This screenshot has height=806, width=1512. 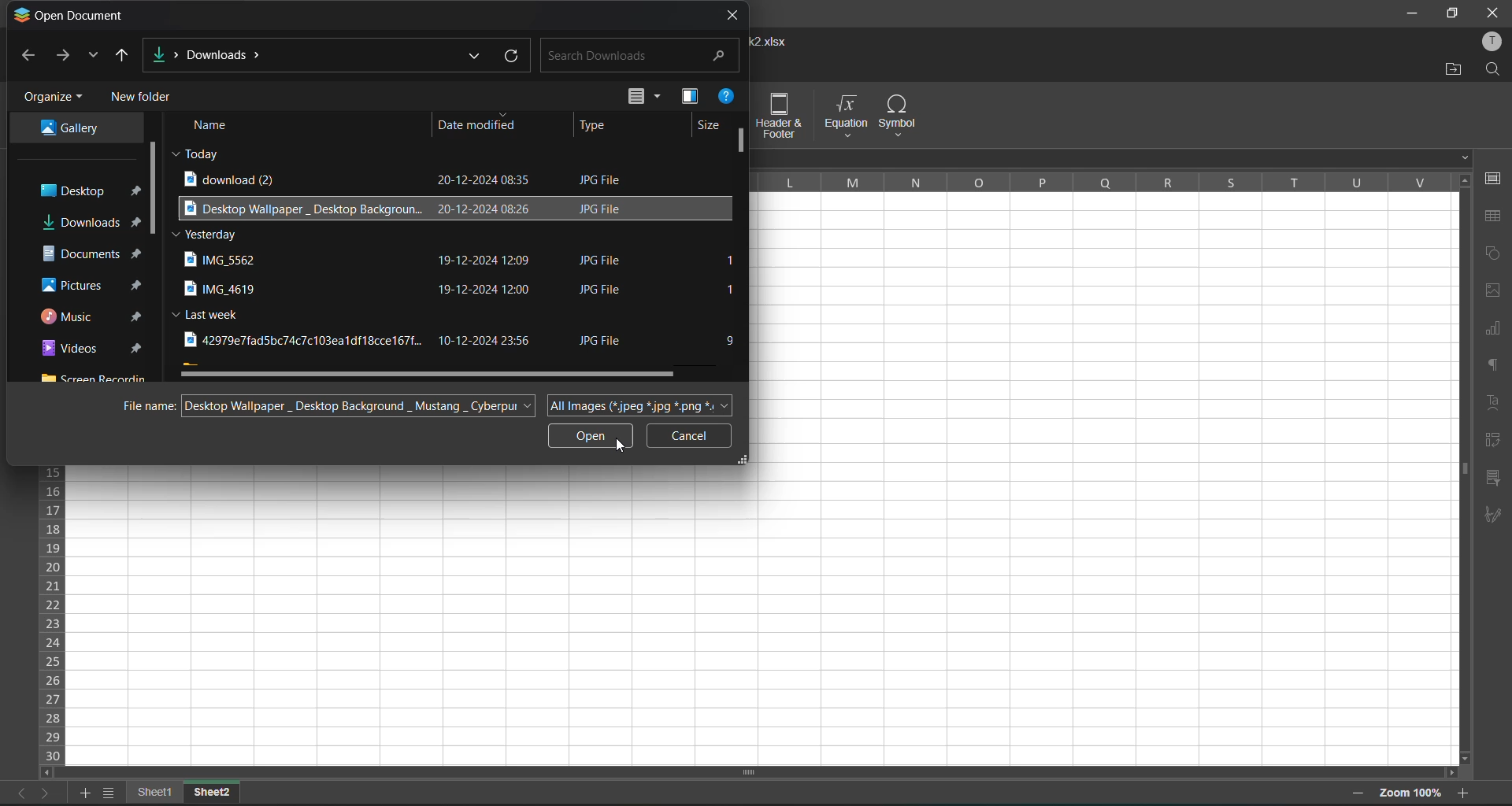 What do you see at coordinates (160, 791) in the screenshot?
I see `sheet names` at bounding box center [160, 791].